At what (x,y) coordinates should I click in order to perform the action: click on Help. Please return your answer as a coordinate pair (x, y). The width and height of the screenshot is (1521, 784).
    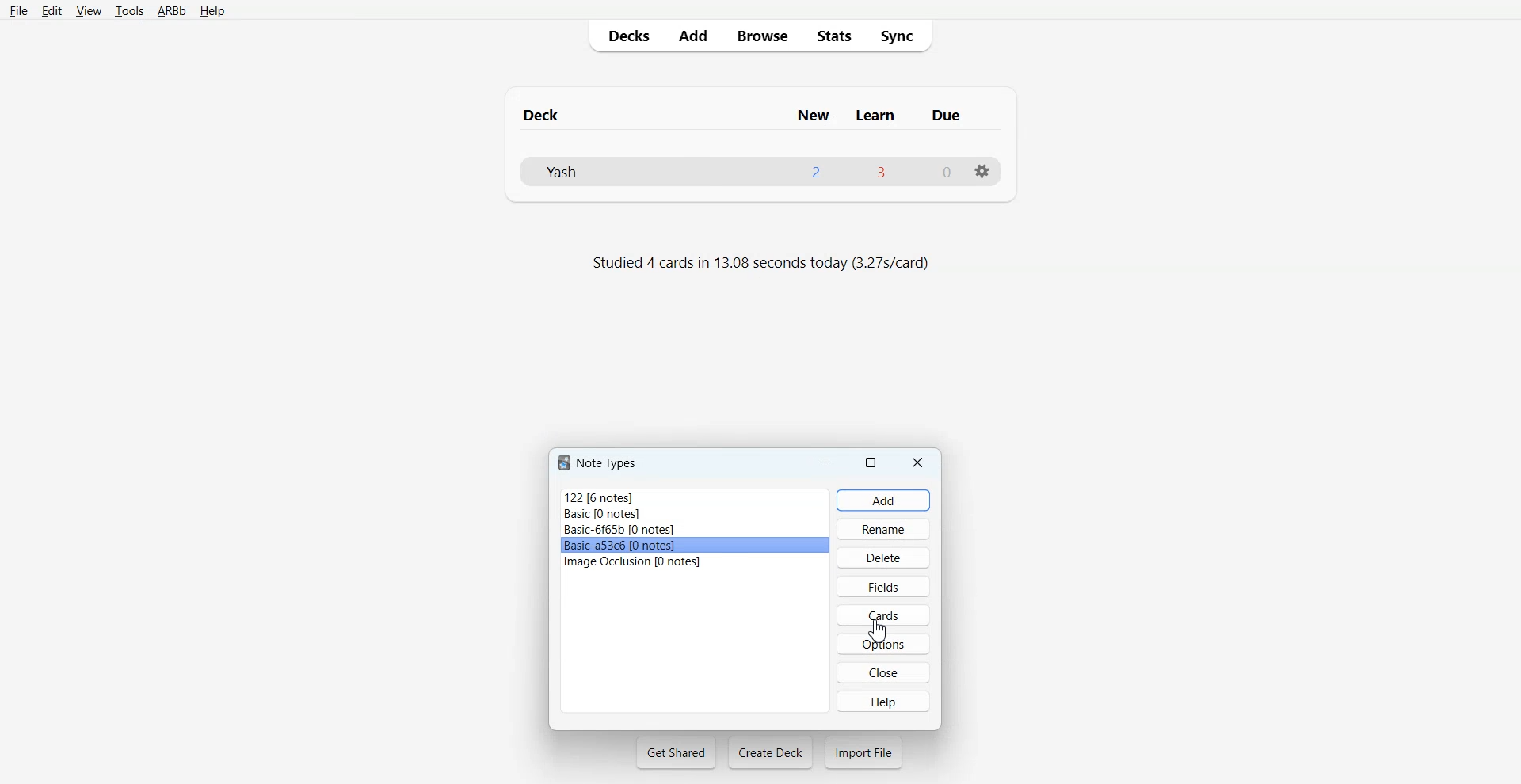
    Looking at the image, I should click on (883, 701).